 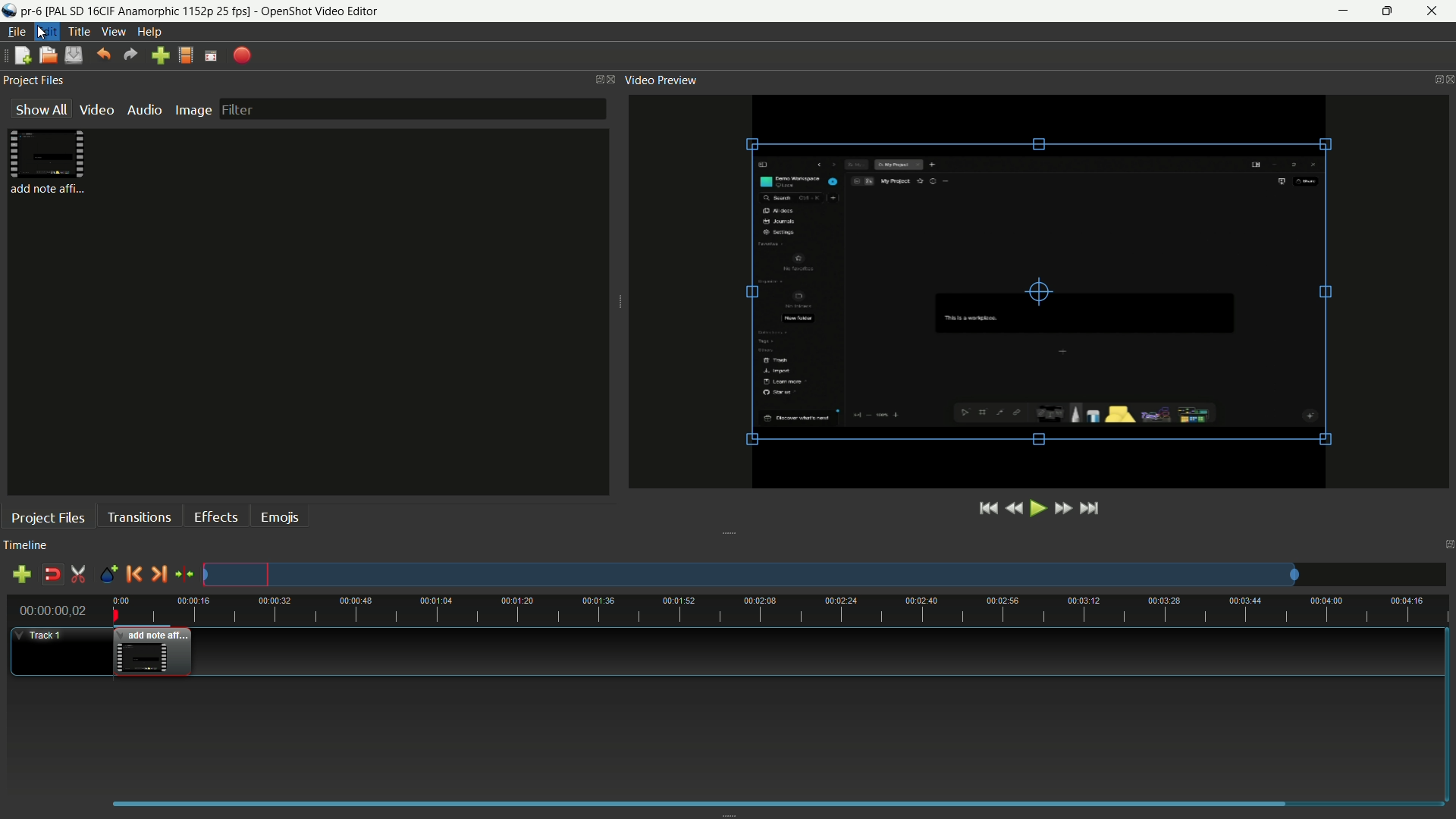 What do you see at coordinates (1031, 293) in the screenshot?
I see `video preview` at bounding box center [1031, 293].